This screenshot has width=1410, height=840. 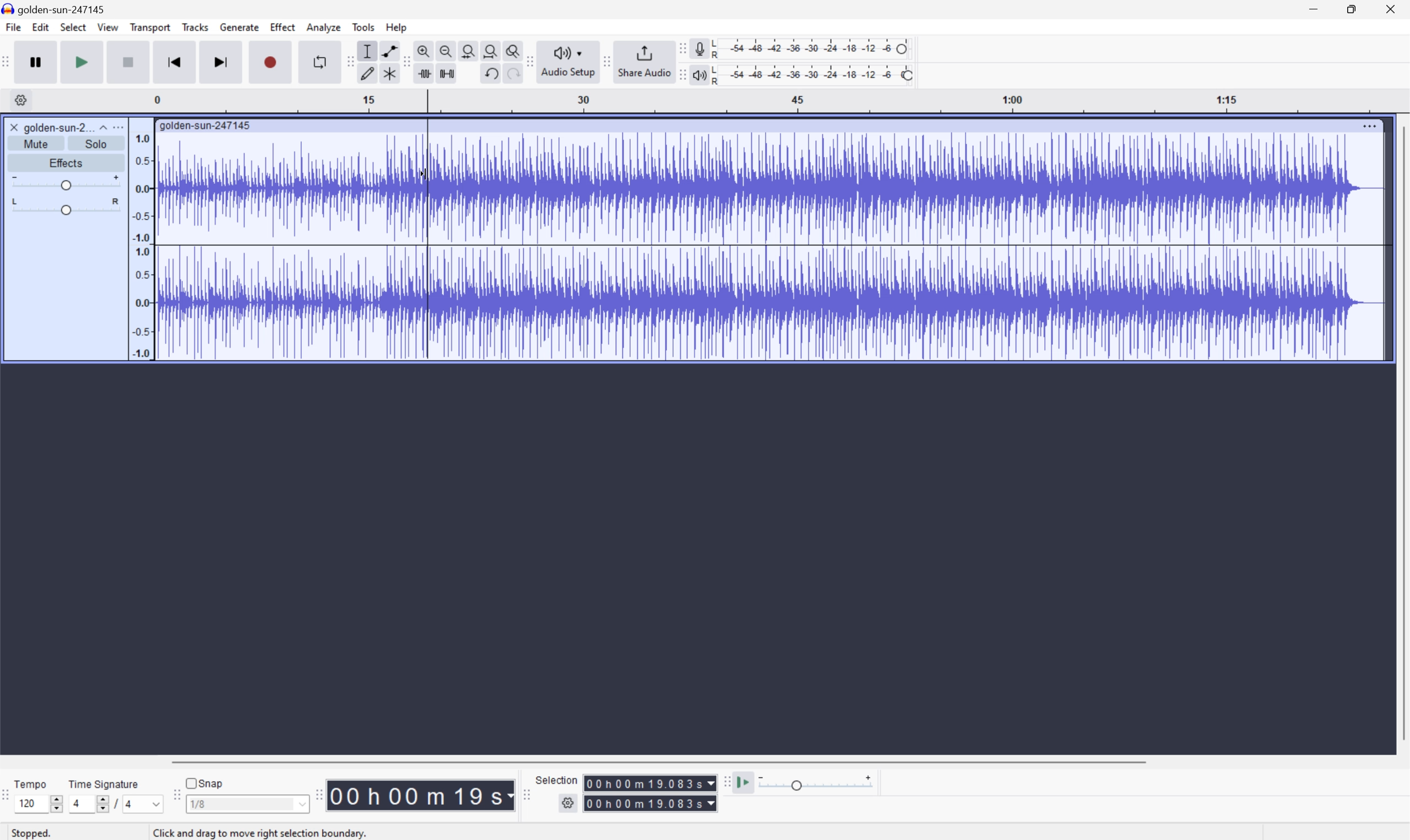 What do you see at coordinates (470, 49) in the screenshot?
I see `selection to width` at bounding box center [470, 49].